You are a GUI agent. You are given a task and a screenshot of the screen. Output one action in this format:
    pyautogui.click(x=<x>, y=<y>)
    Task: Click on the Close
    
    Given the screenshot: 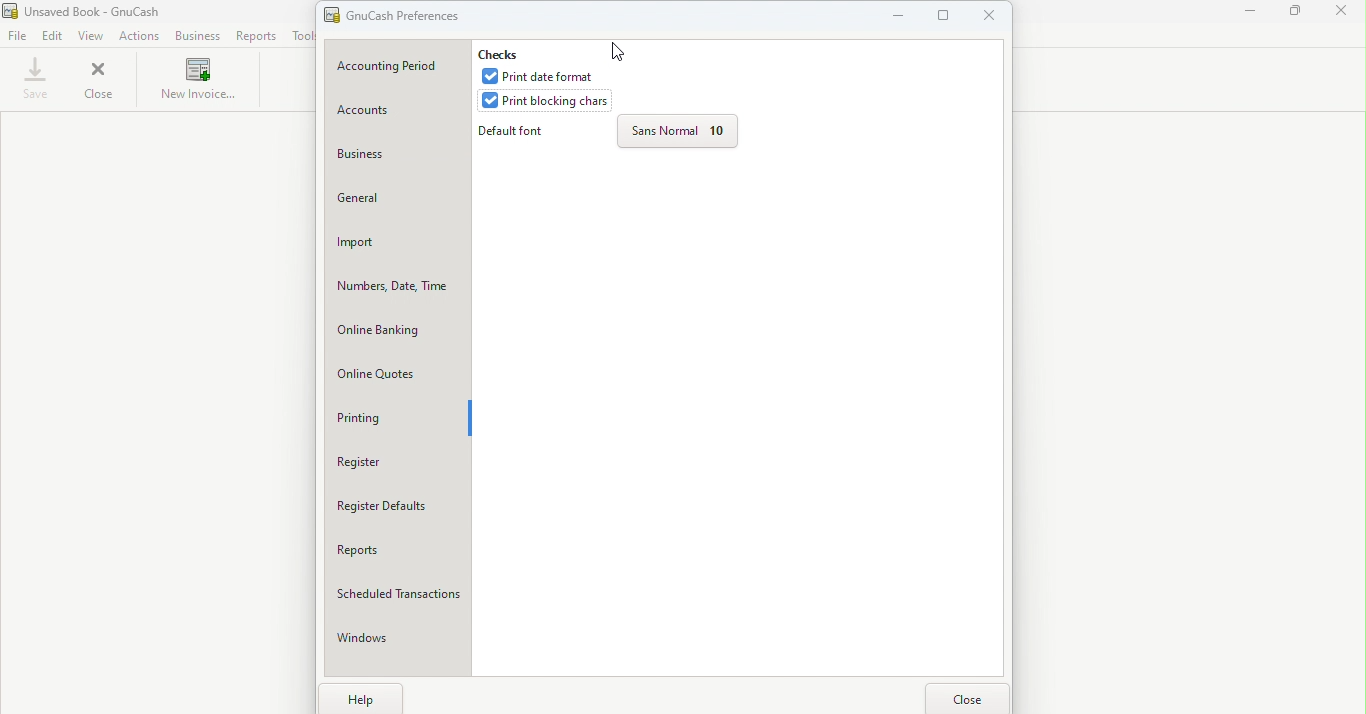 What is the action you would take?
    pyautogui.click(x=100, y=83)
    